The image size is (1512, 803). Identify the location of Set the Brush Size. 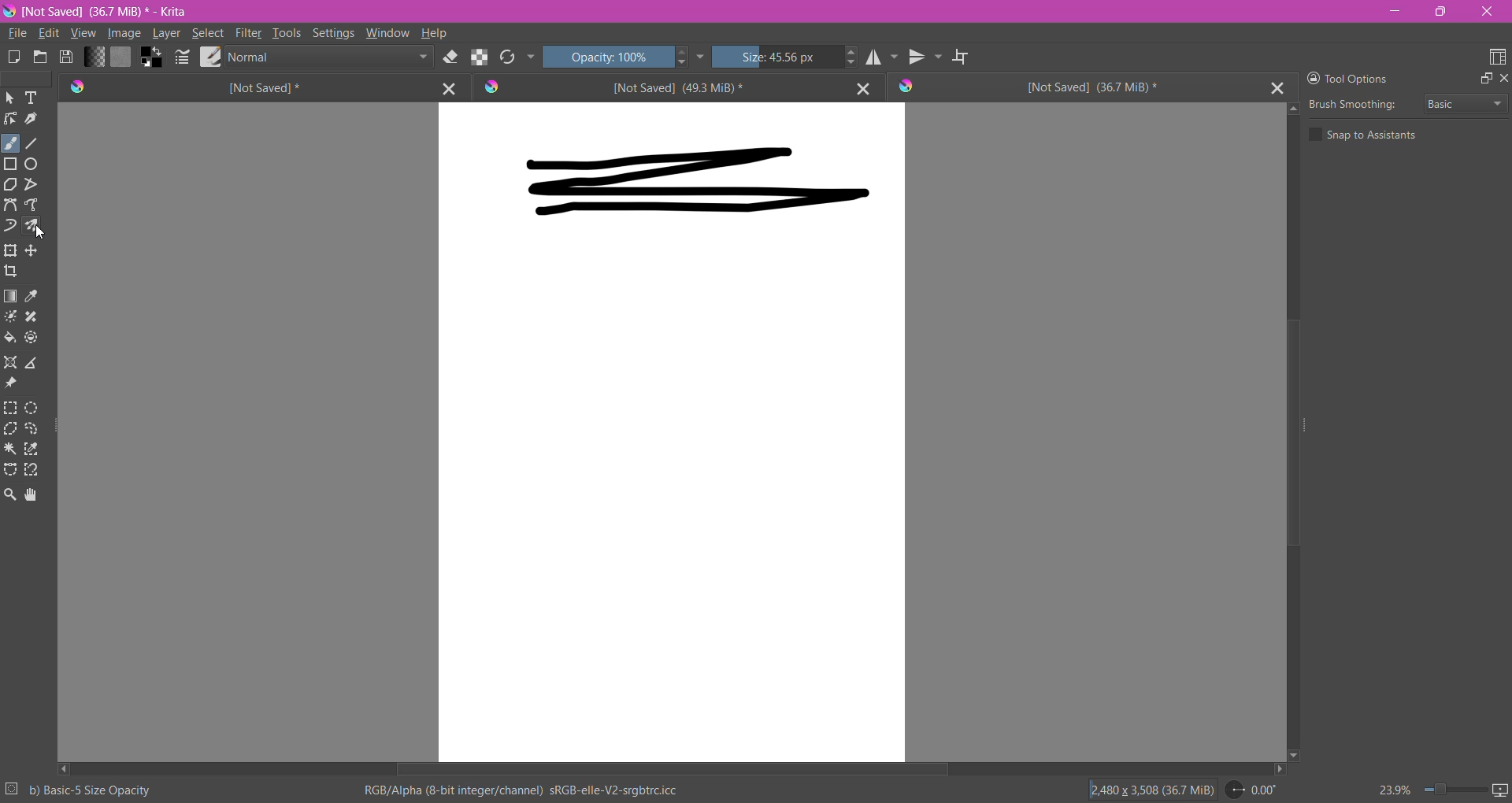
(776, 57).